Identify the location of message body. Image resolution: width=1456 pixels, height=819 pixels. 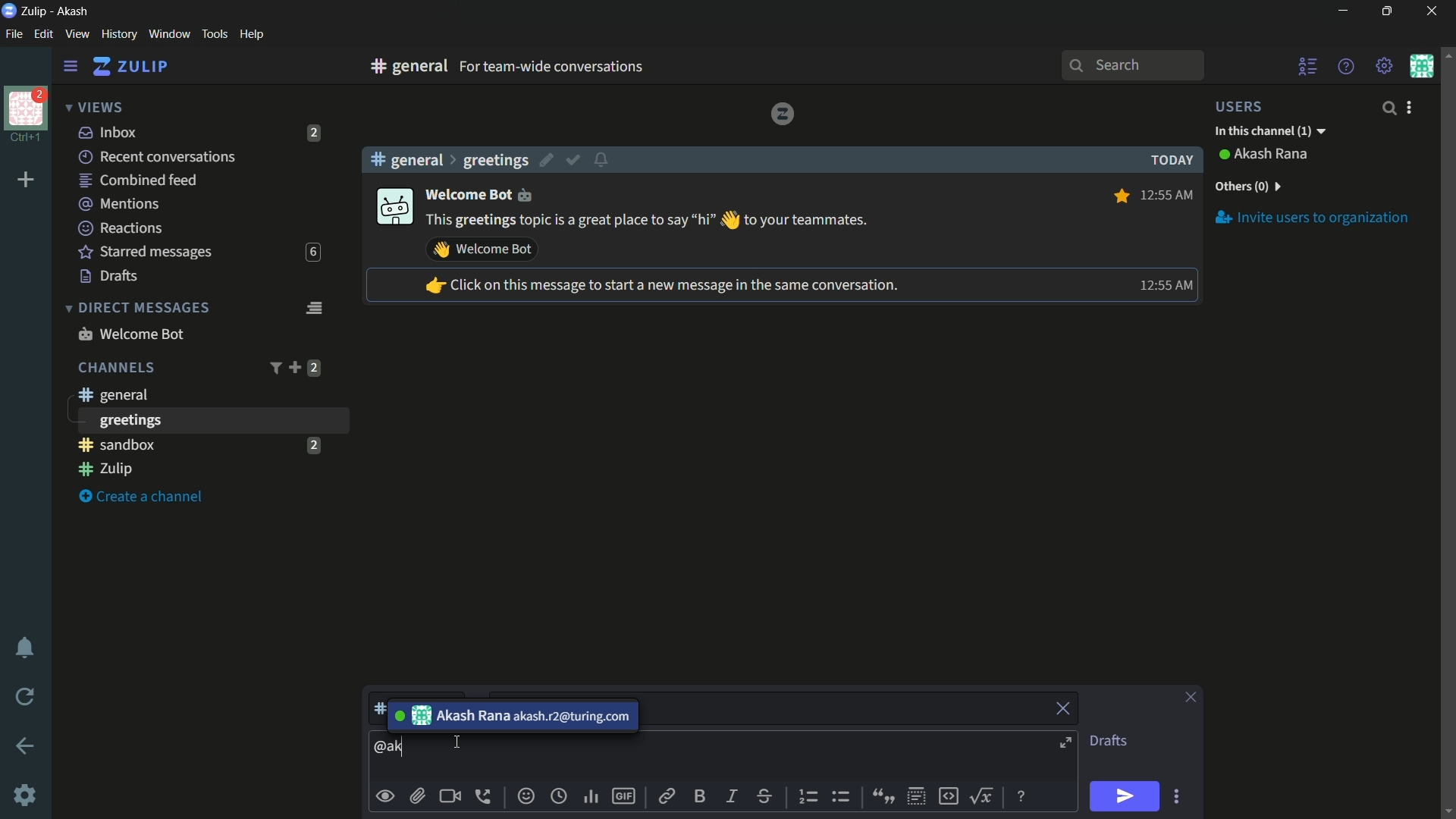
(734, 758).